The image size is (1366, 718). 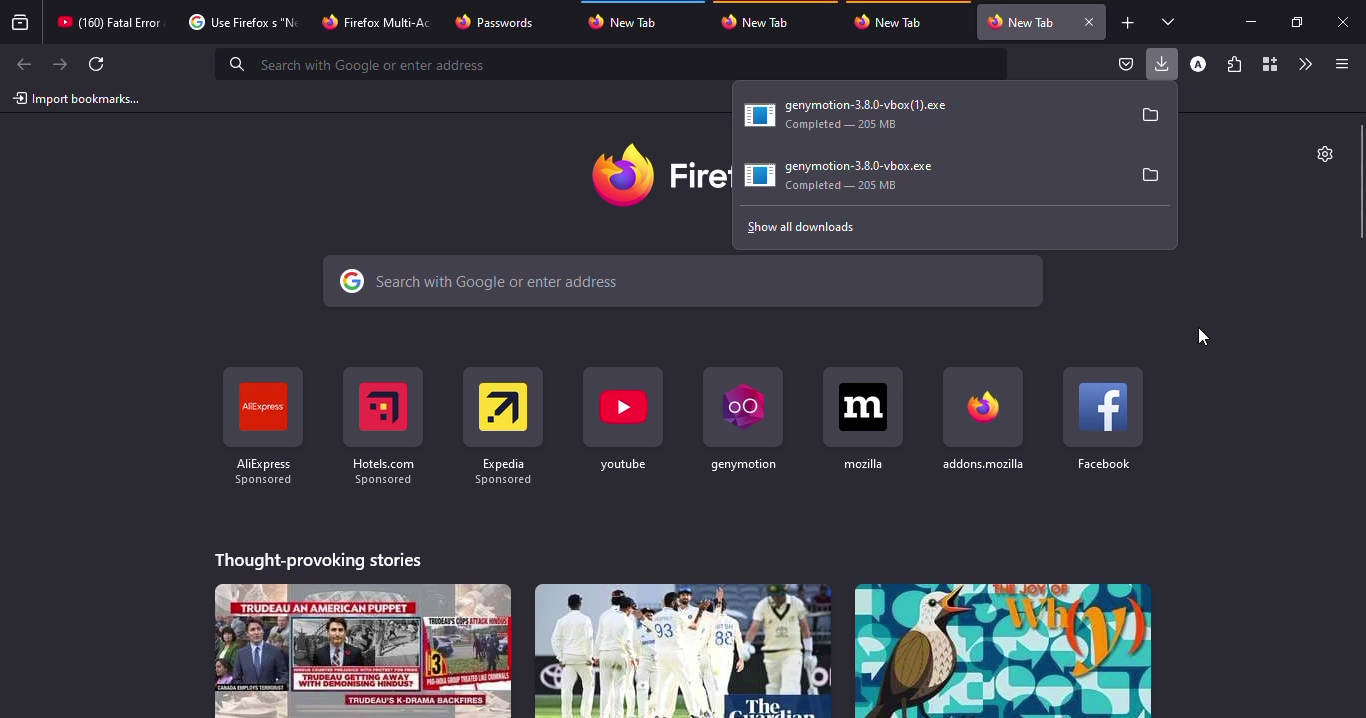 What do you see at coordinates (656, 175) in the screenshot?
I see `firefox` at bounding box center [656, 175].